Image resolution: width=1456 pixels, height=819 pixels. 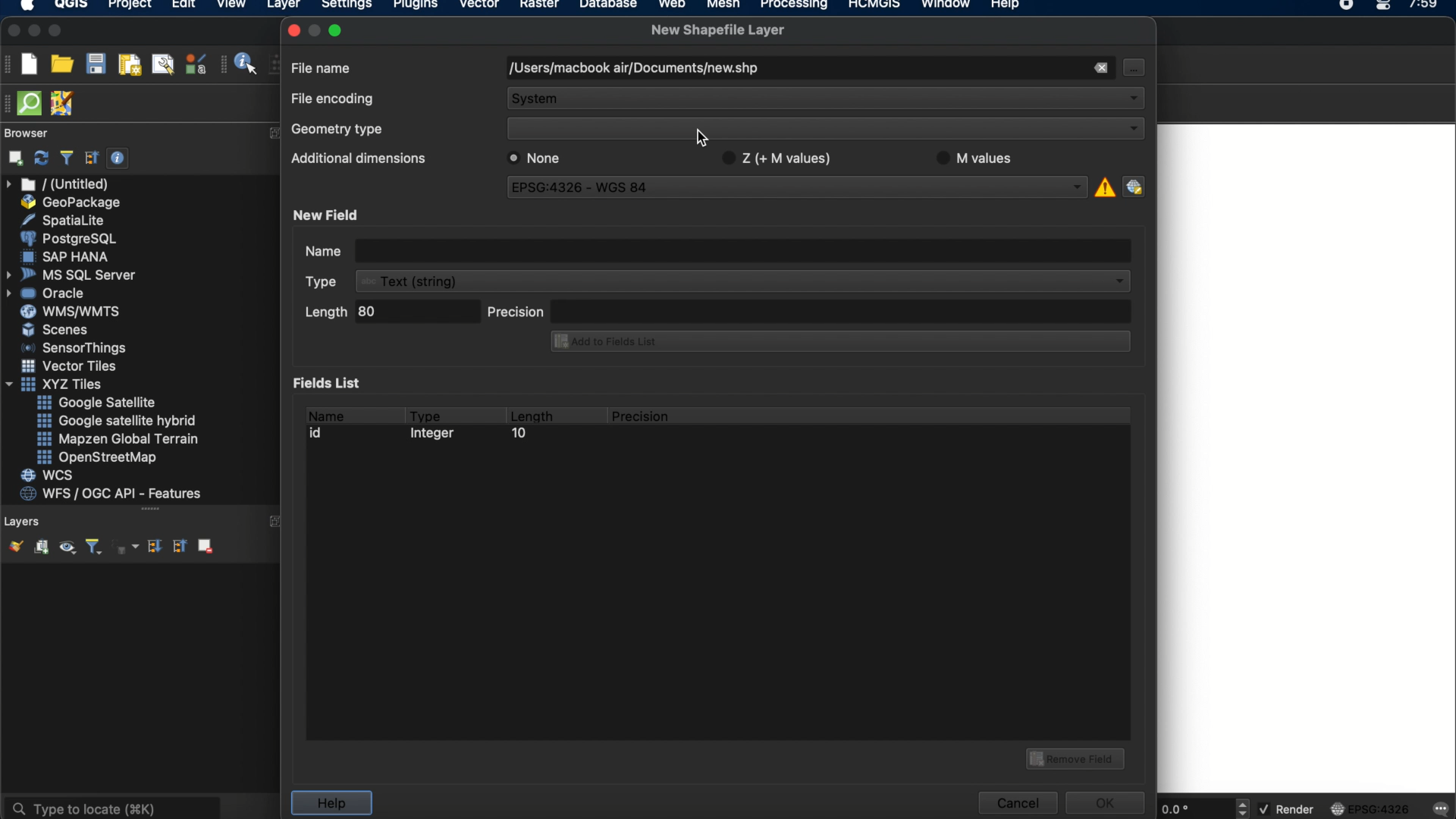 I want to click on style manager, so click(x=196, y=64).